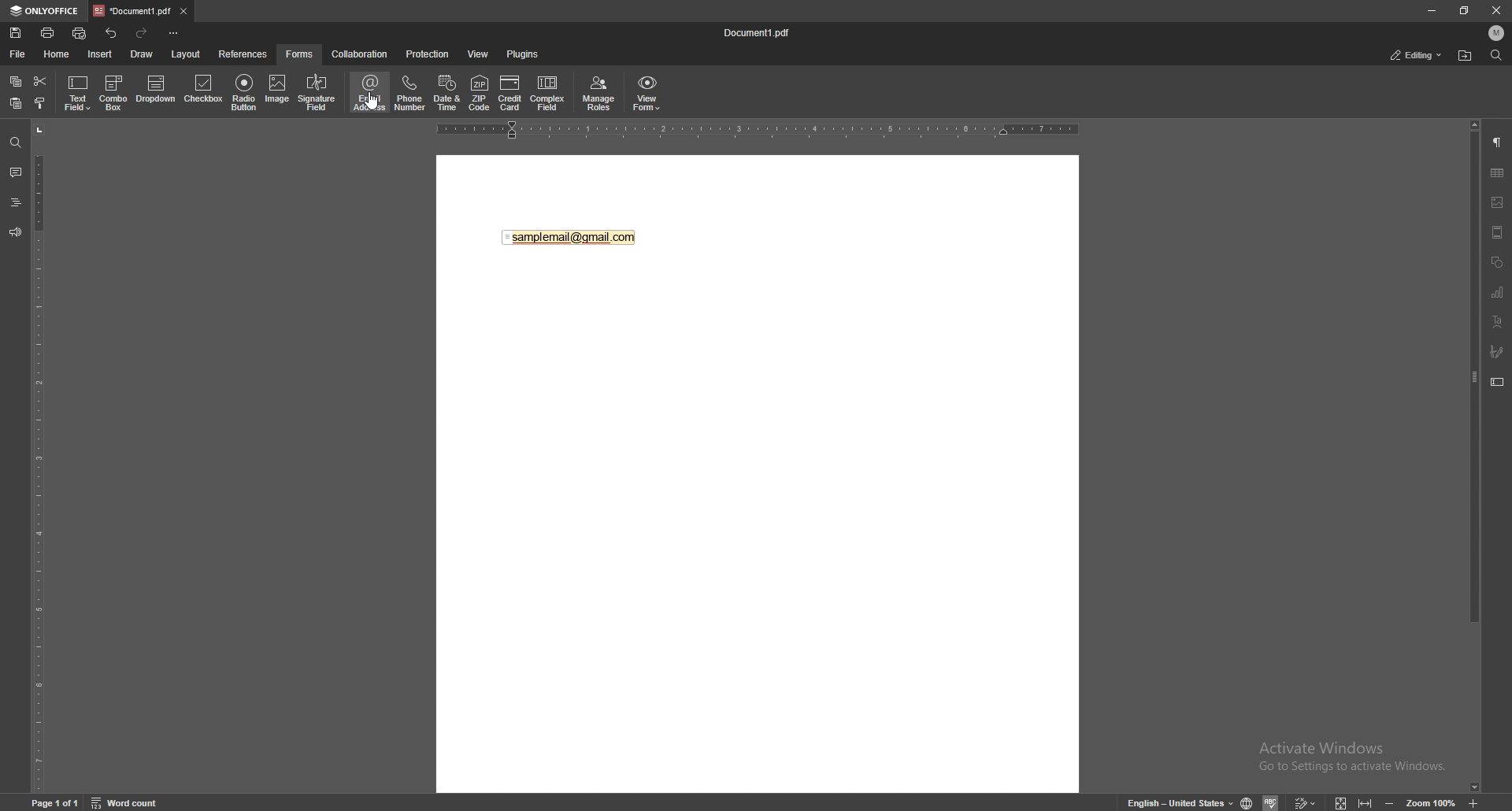  What do you see at coordinates (141, 54) in the screenshot?
I see `draw` at bounding box center [141, 54].